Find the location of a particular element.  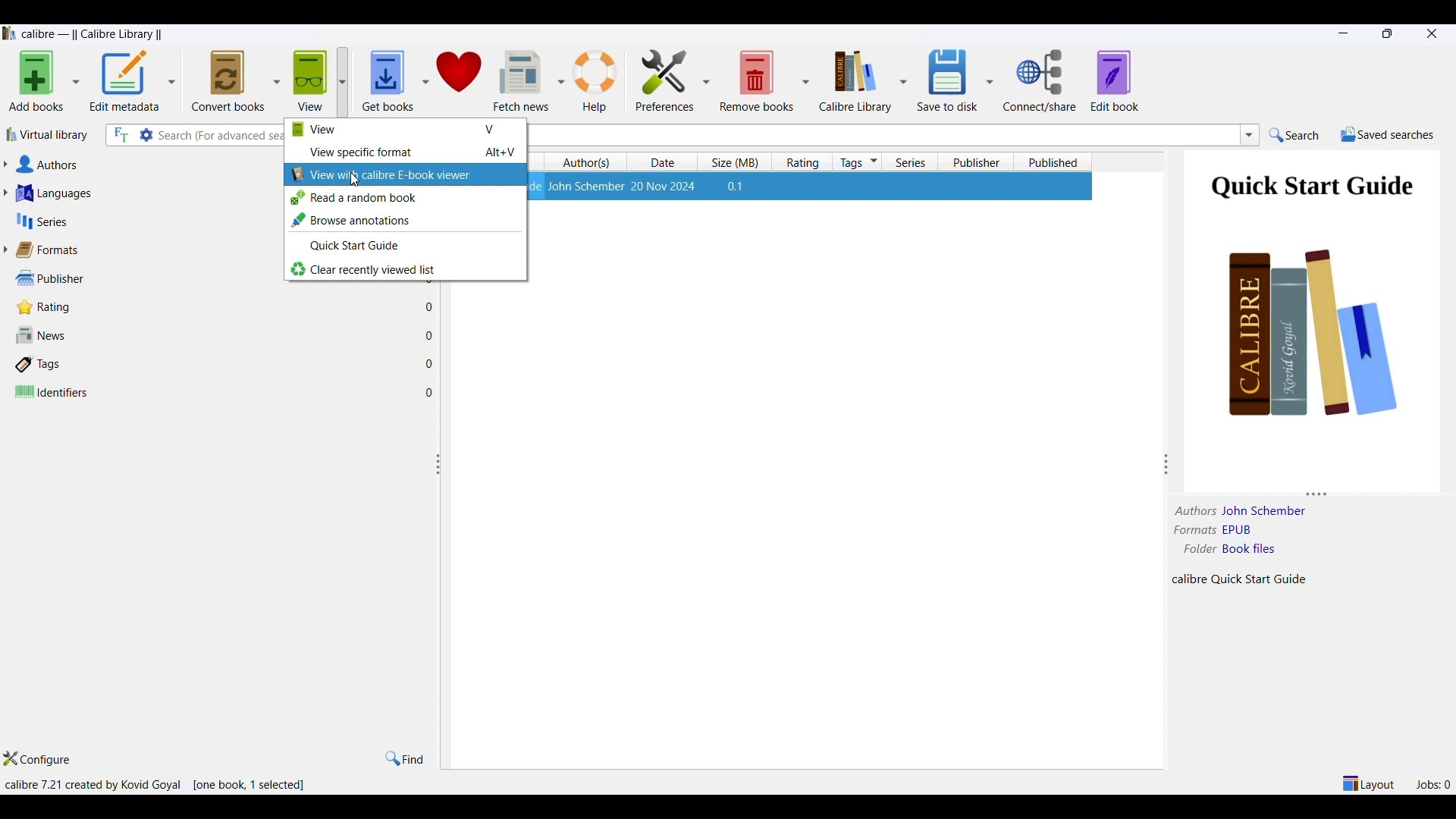

donate to calibre is located at coordinates (461, 78).